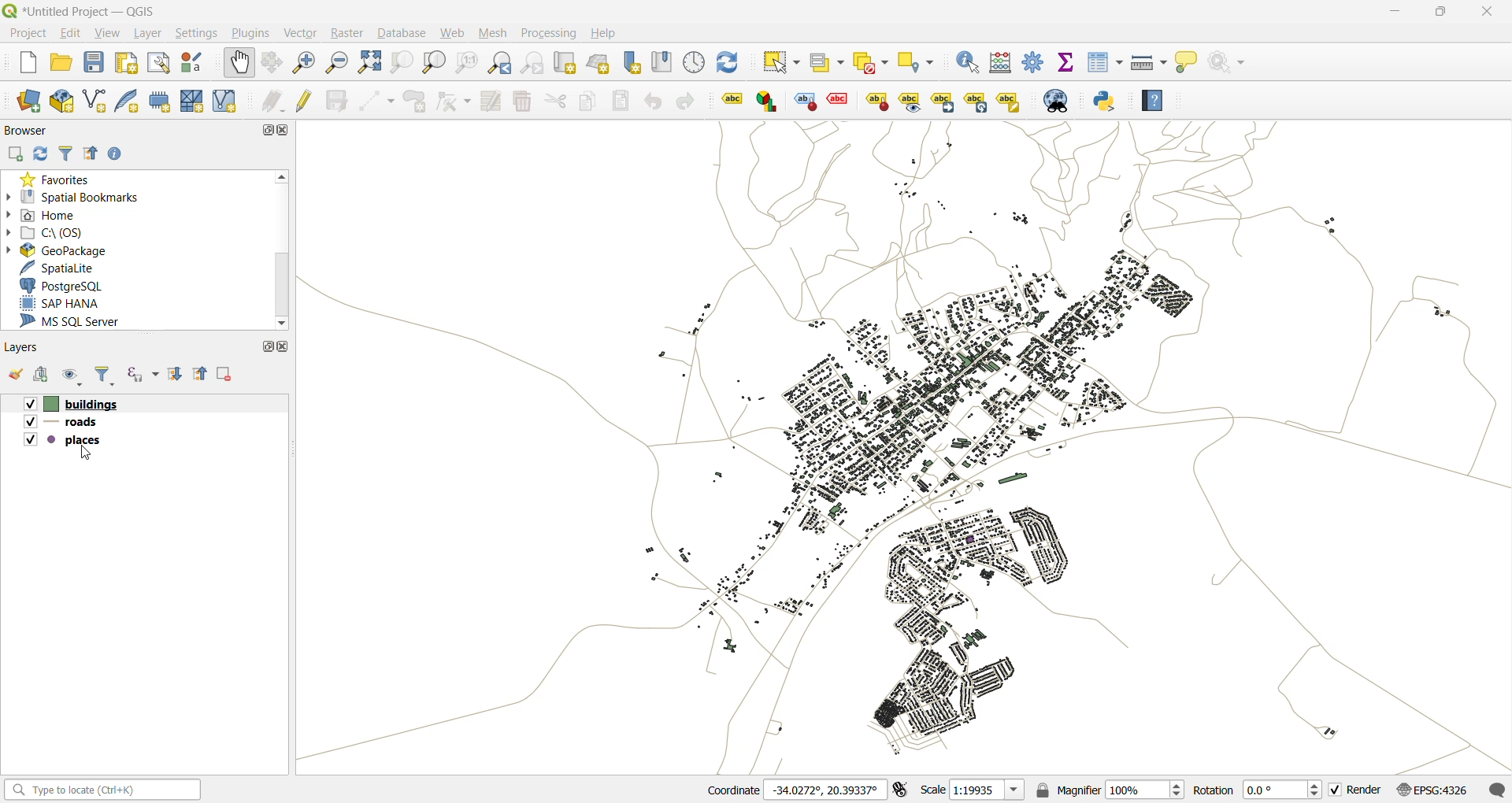  I want to click on vertex tools, so click(454, 104).